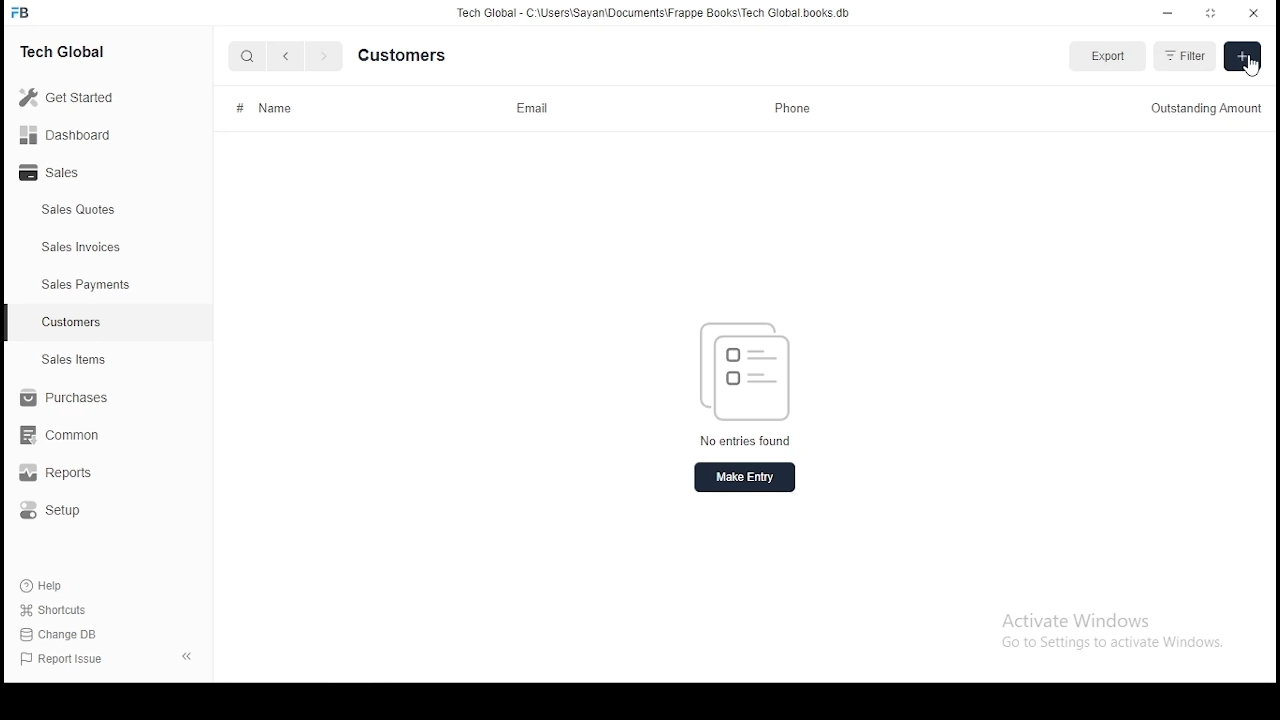 This screenshot has width=1280, height=720. Describe the element at coordinates (655, 13) in the screenshot. I see `tech global - C:\users\sayan\documents\frappeboks\techgobalbooks.db` at that location.